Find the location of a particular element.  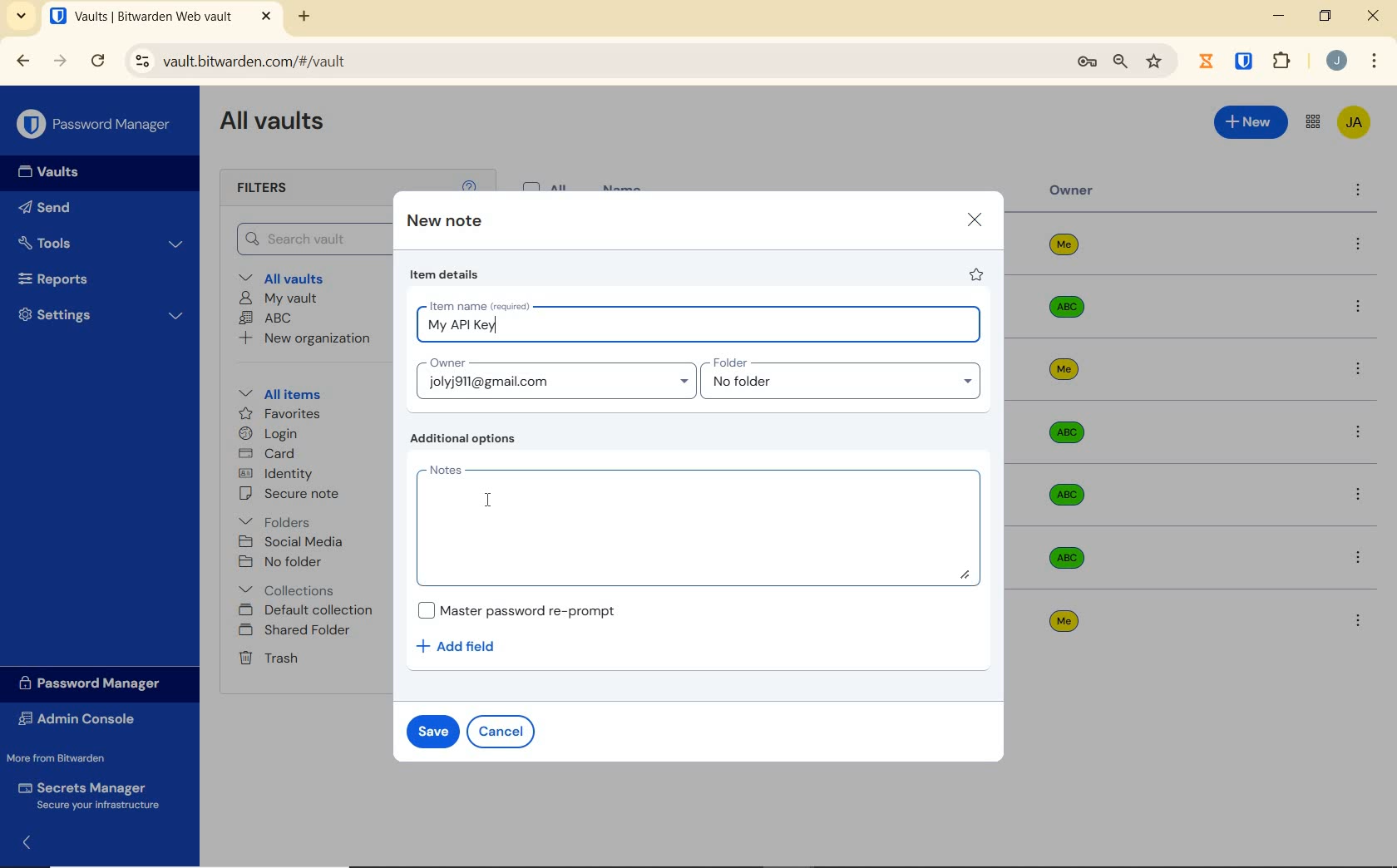

NEW TAB is located at coordinates (306, 17).